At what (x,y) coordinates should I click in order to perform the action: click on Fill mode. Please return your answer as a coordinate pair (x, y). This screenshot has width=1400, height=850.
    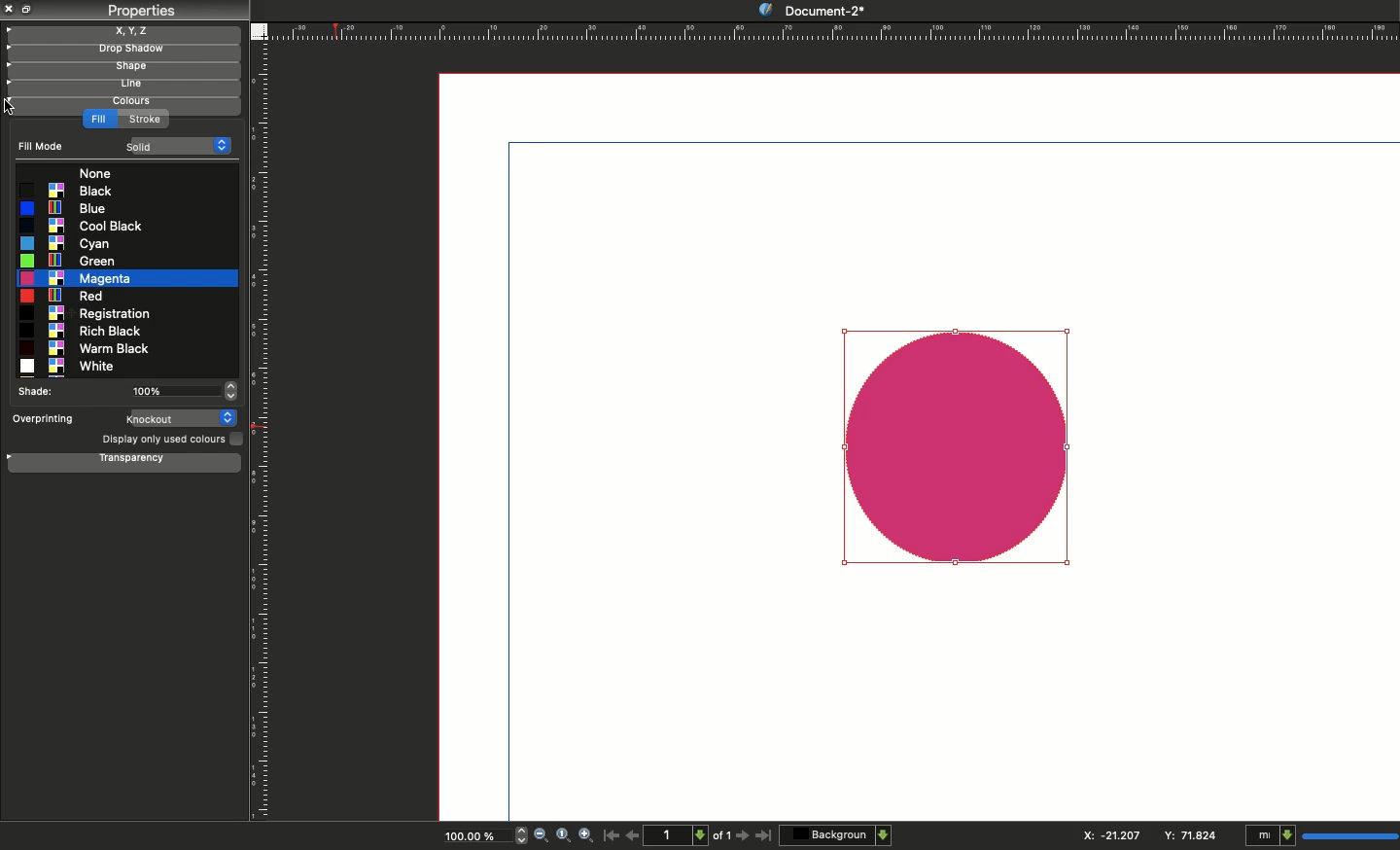
    Looking at the image, I should click on (43, 146).